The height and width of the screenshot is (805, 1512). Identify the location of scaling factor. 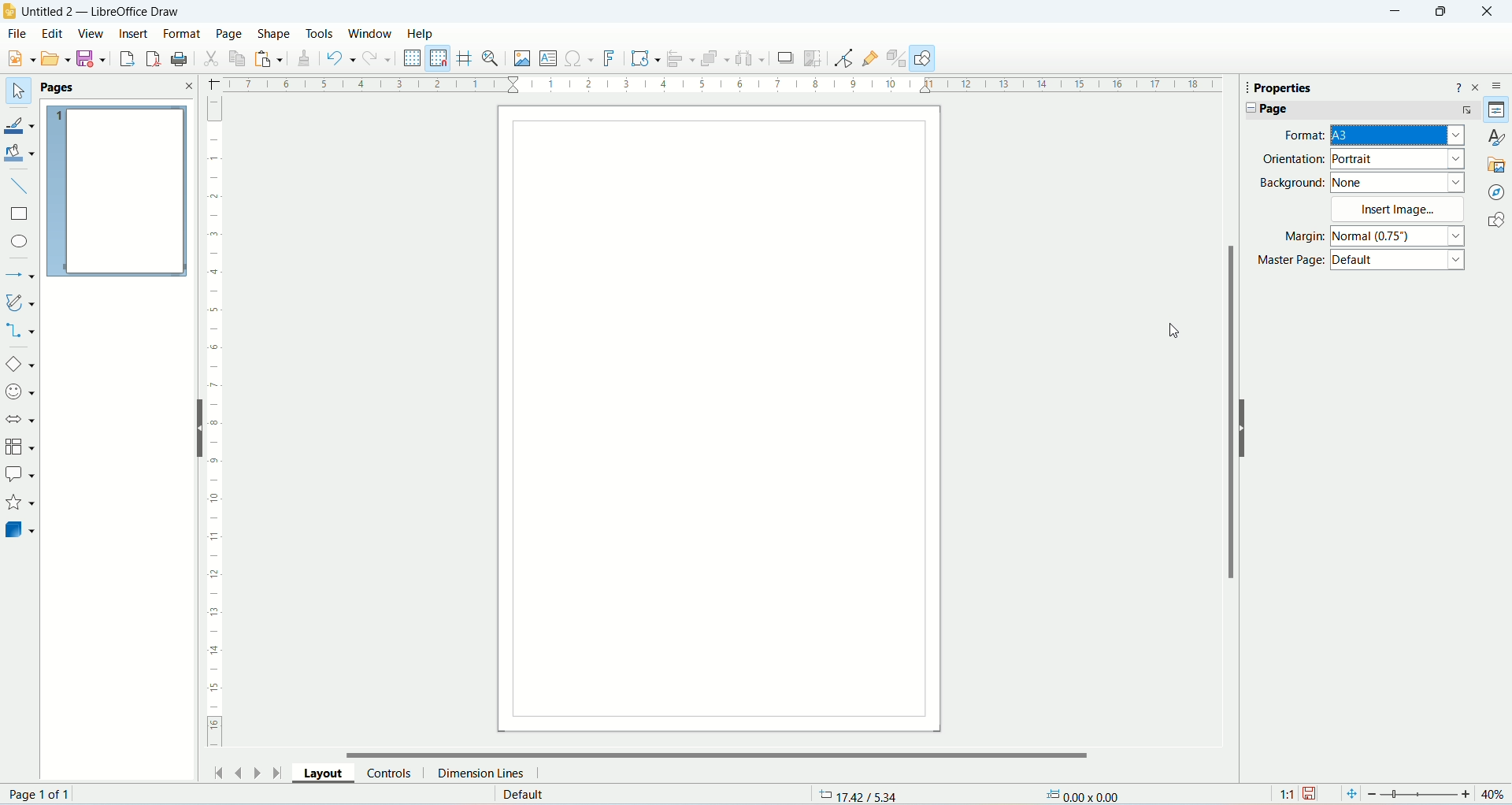
(1287, 792).